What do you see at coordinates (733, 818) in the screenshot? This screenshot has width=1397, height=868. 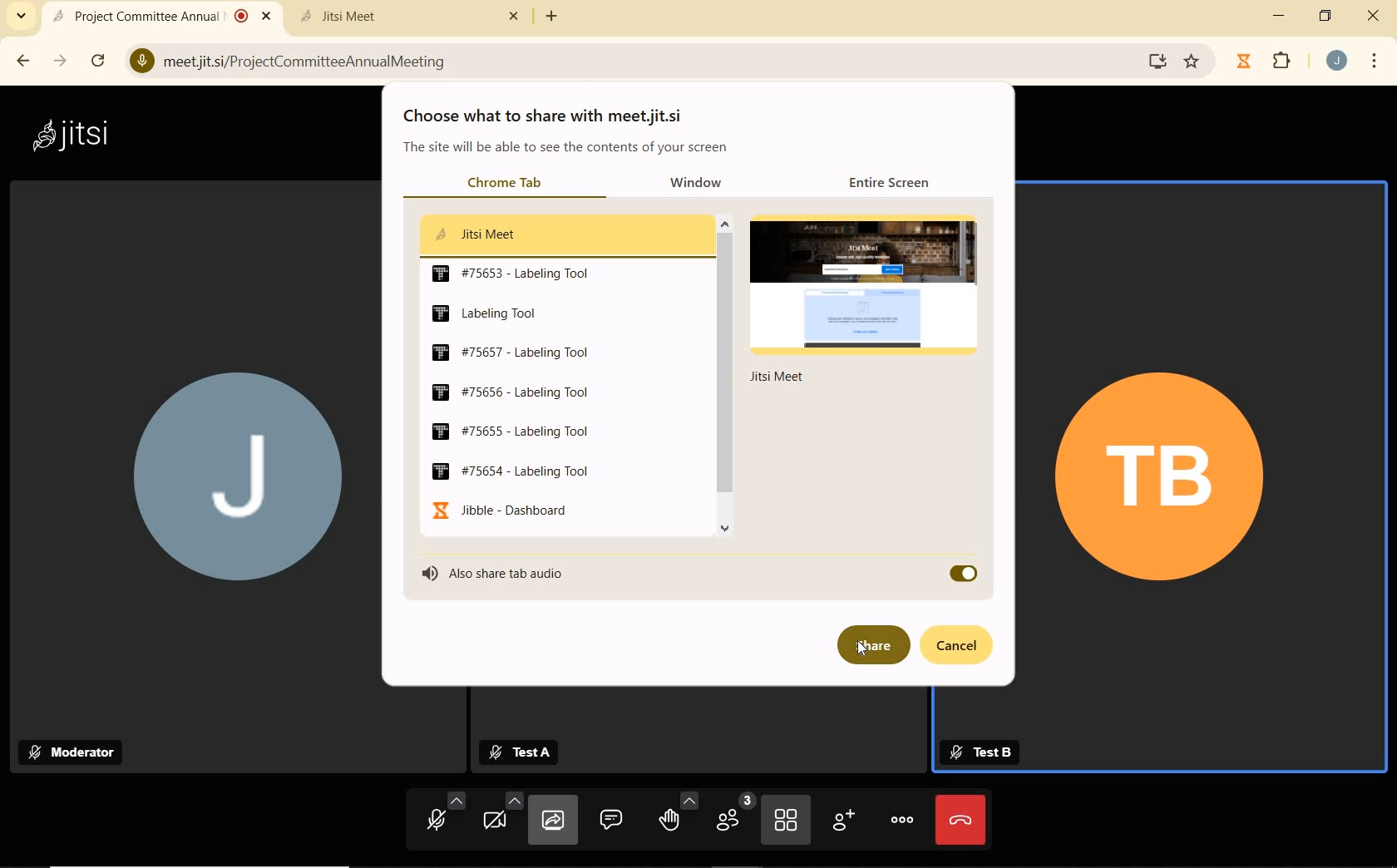 I see `PARTICIPANTS` at bounding box center [733, 818].